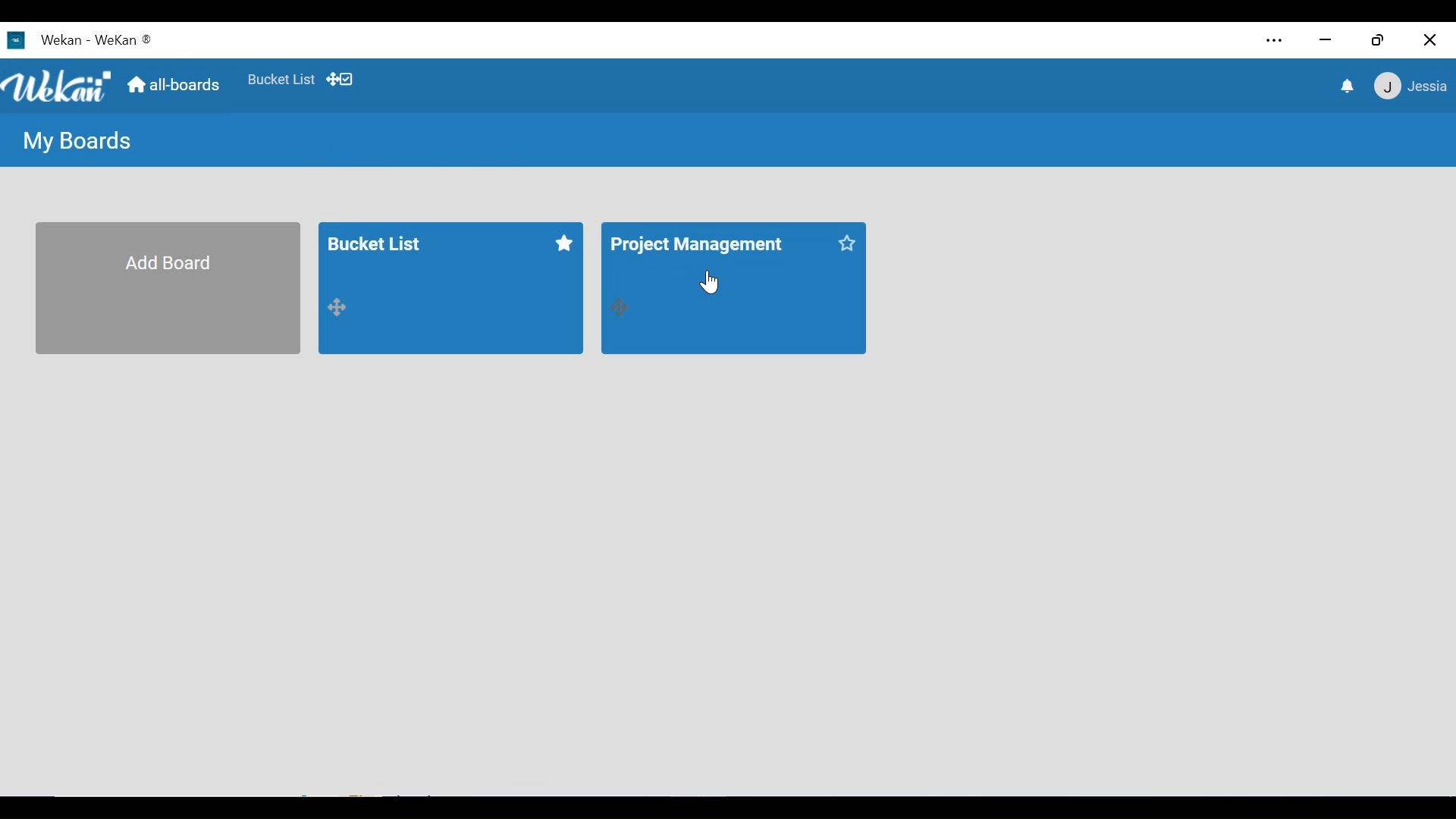 The height and width of the screenshot is (819, 1456). I want to click on mark as favorite, so click(846, 243).